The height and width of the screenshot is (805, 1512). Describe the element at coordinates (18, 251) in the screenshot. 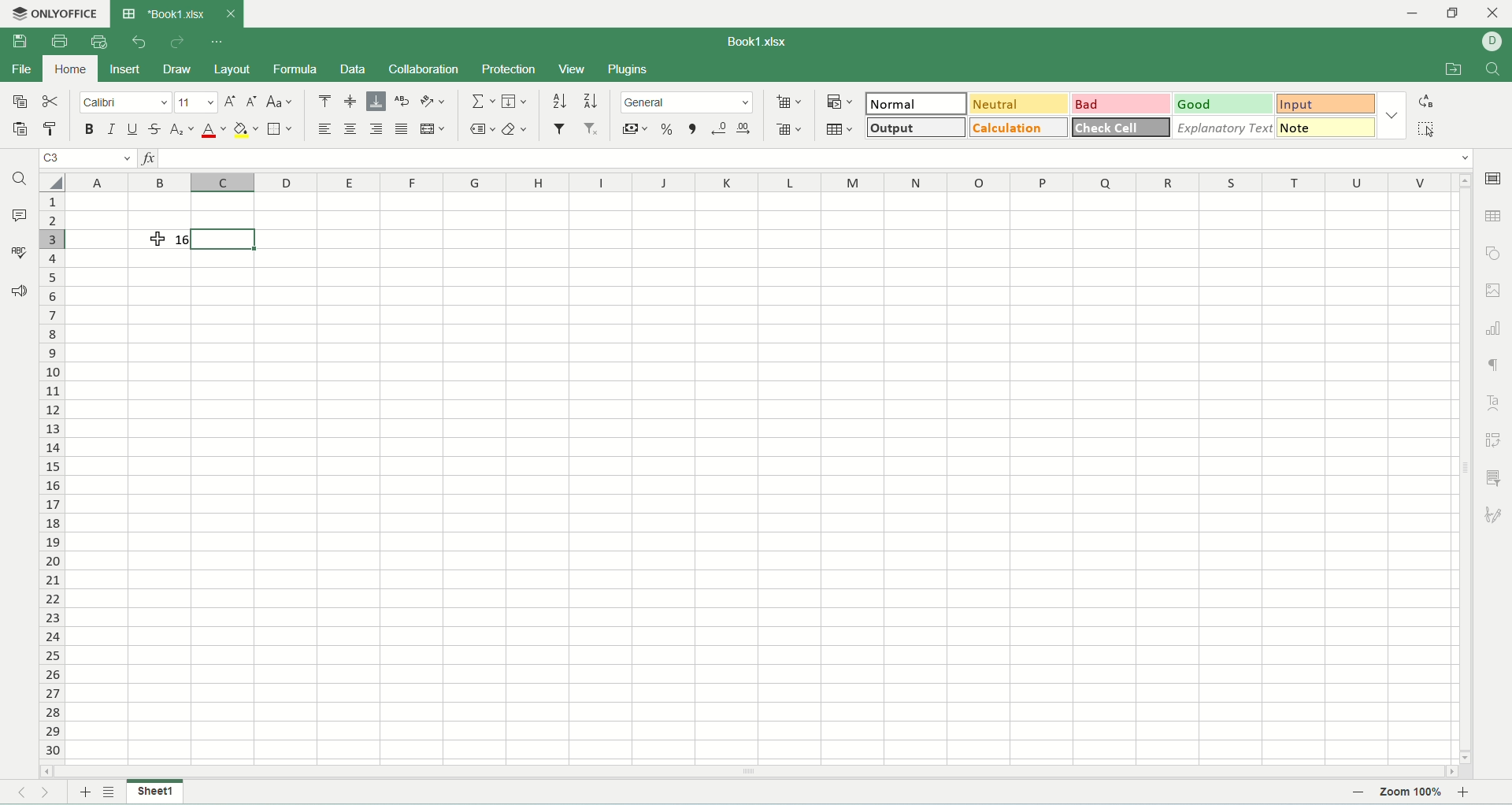

I see `spell check` at that location.